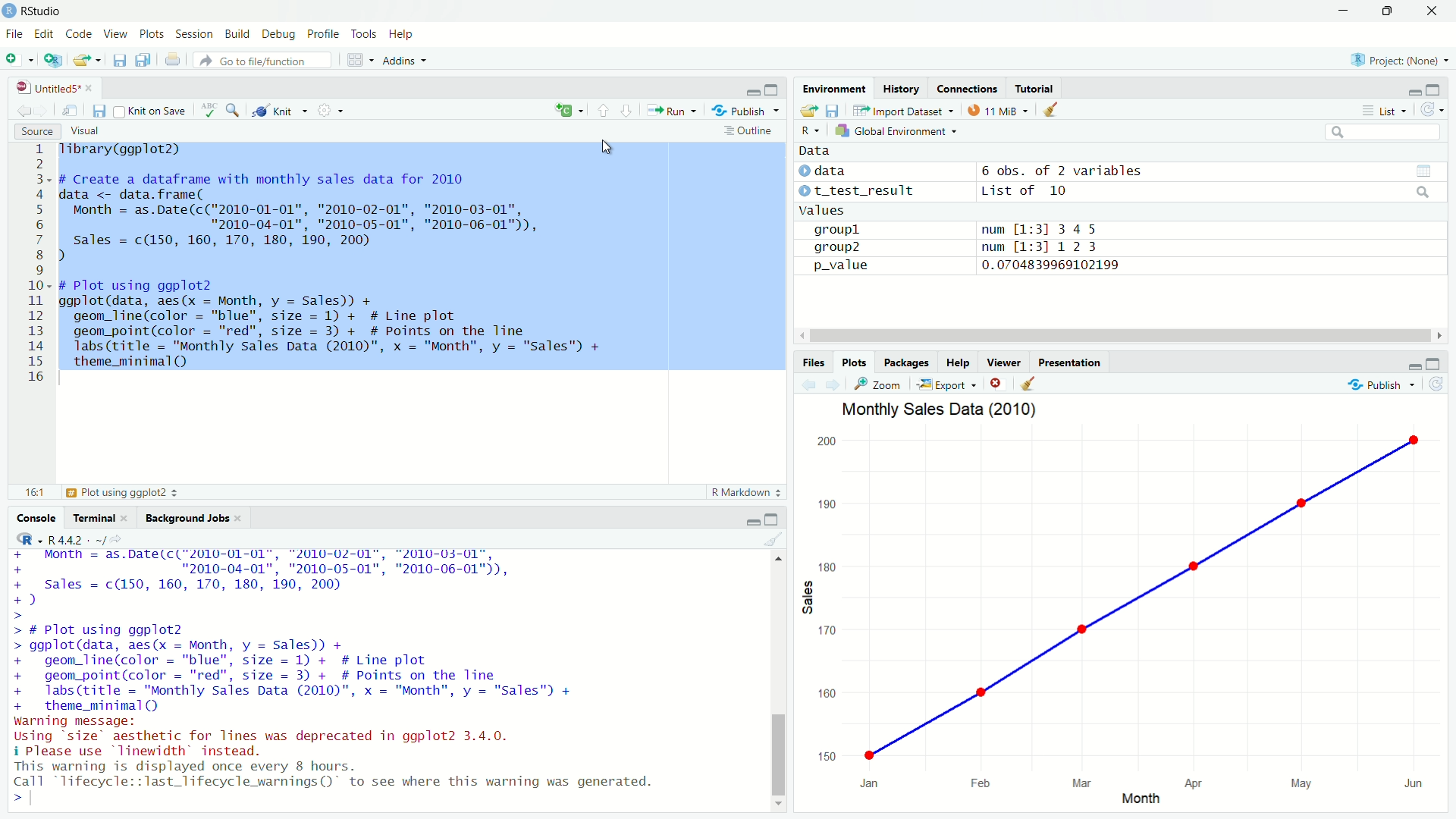  Describe the element at coordinates (971, 265) in the screenshot. I see `p_value 0.0704839969102199` at that location.